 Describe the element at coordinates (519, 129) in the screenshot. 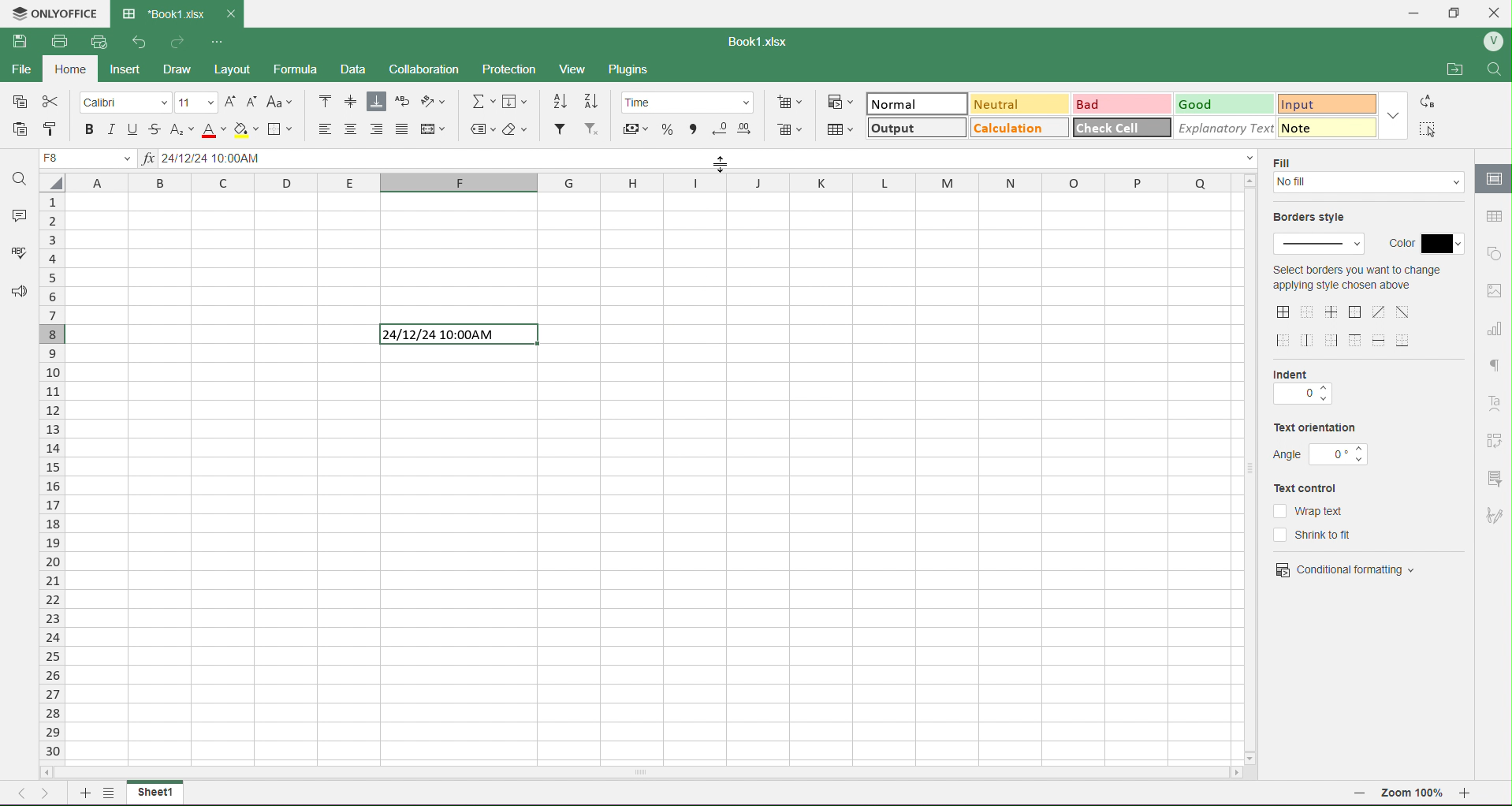

I see `Clear` at that location.